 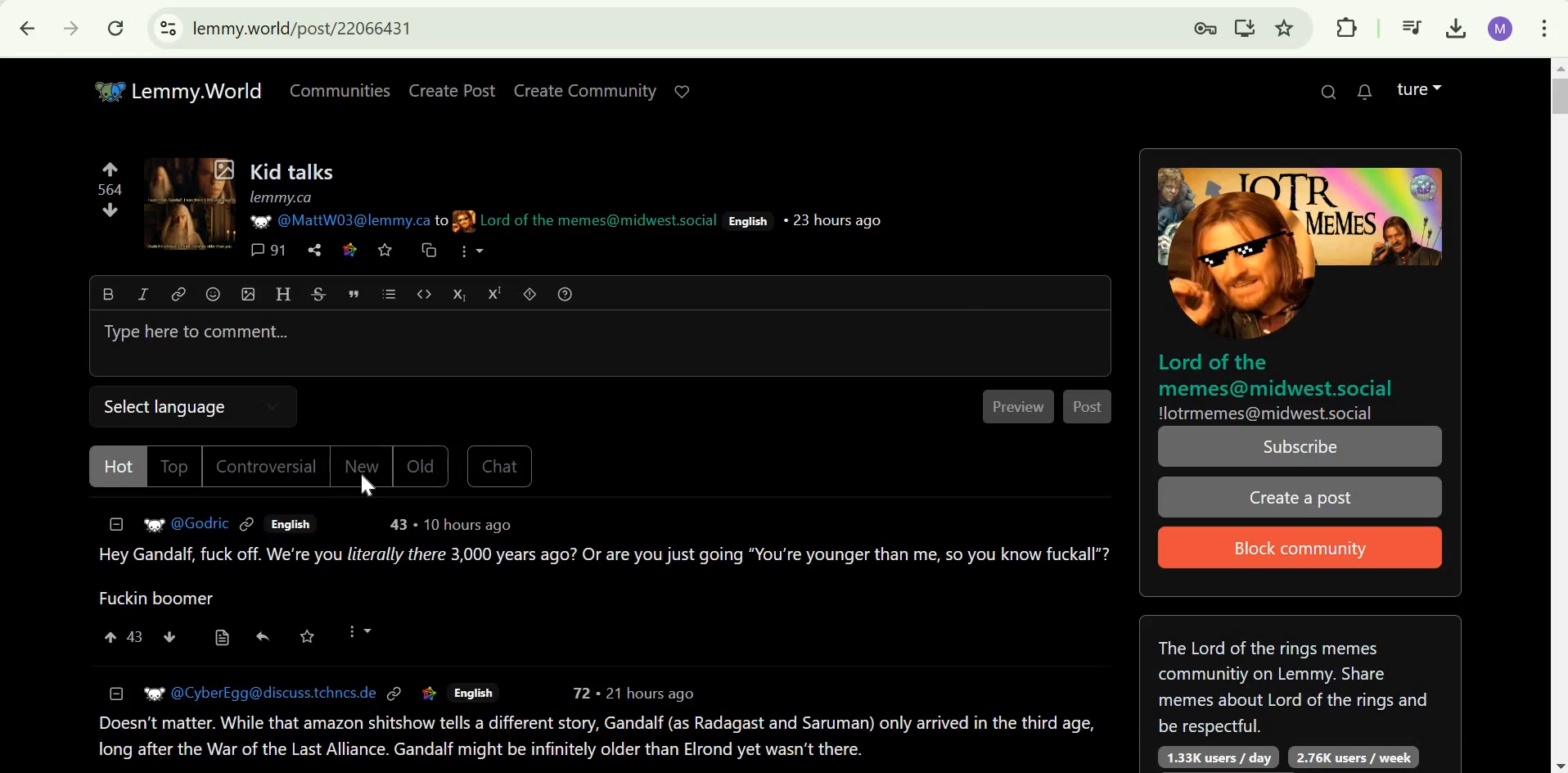 What do you see at coordinates (170, 635) in the screenshot?
I see `downvote` at bounding box center [170, 635].